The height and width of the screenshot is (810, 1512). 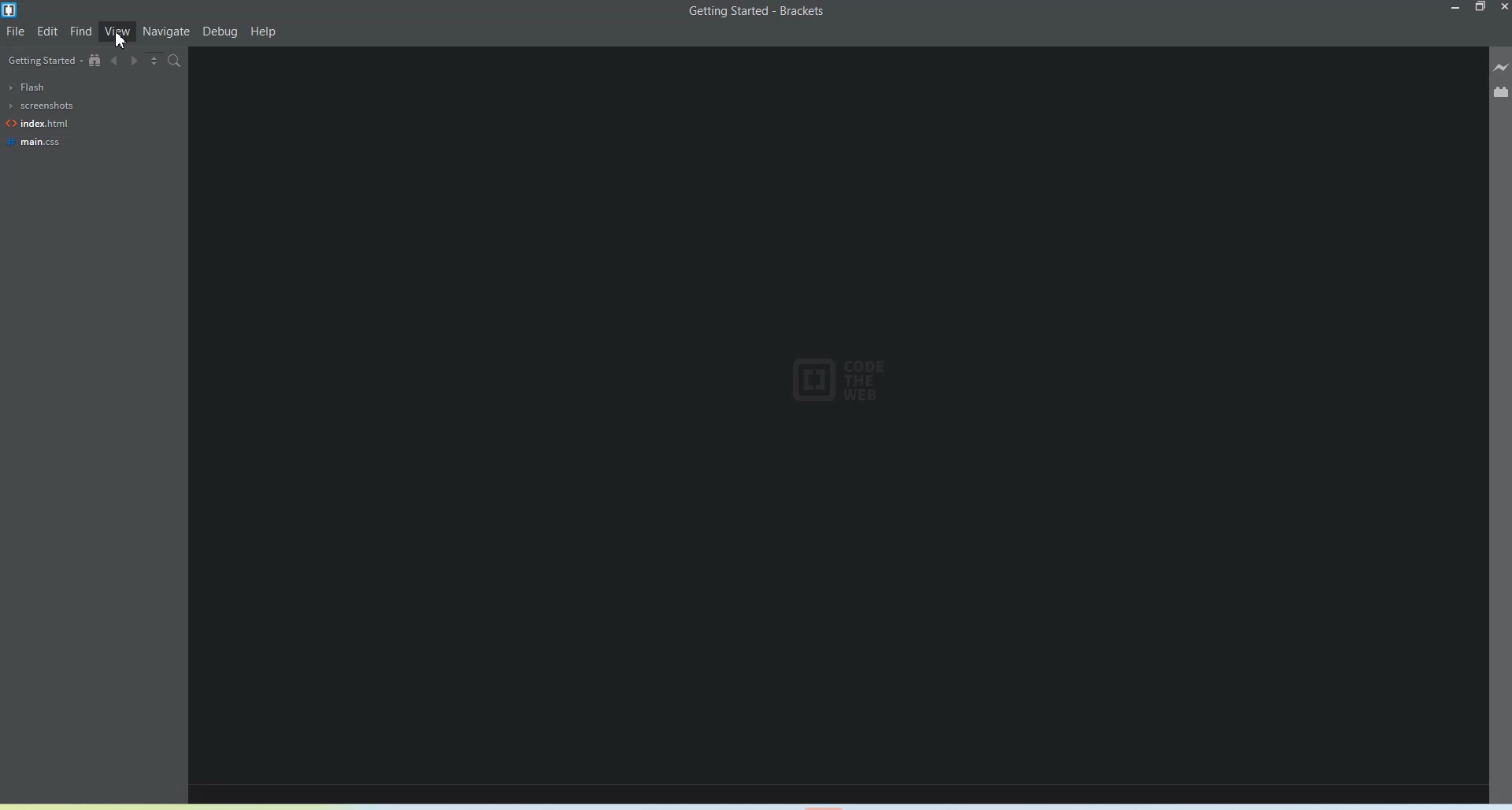 What do you see at coordinates (38, 124) in the screenshot?
I see `index.html` at bounding box center [38, 124].